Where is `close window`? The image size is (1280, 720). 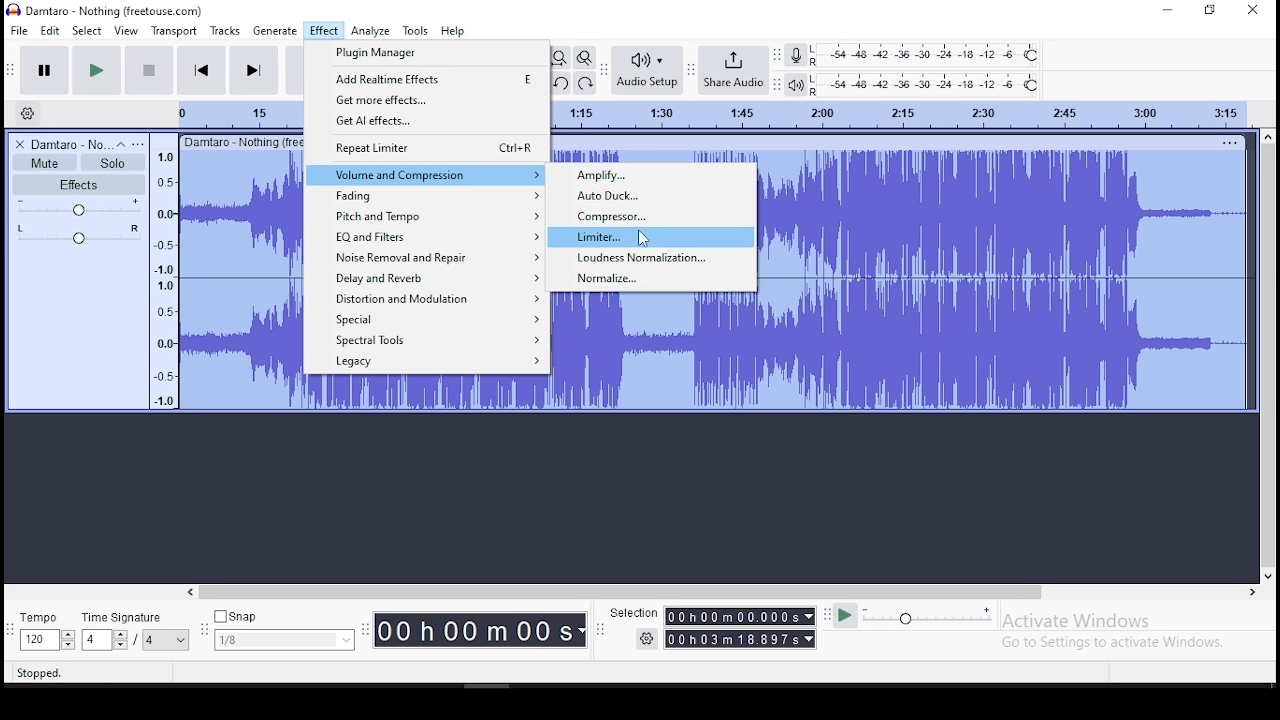
close window is located at coordinates (1255, 11).